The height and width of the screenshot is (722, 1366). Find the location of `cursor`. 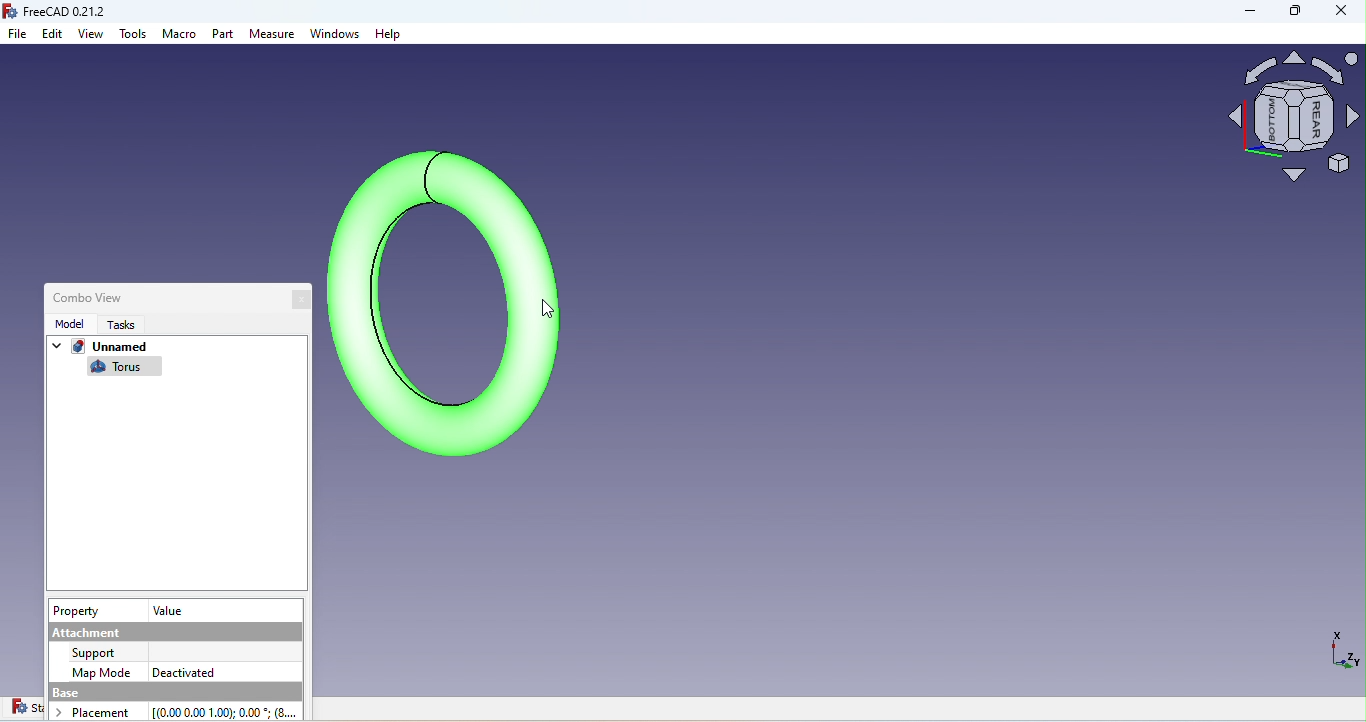

cursor is located at coordinates (550, 311).